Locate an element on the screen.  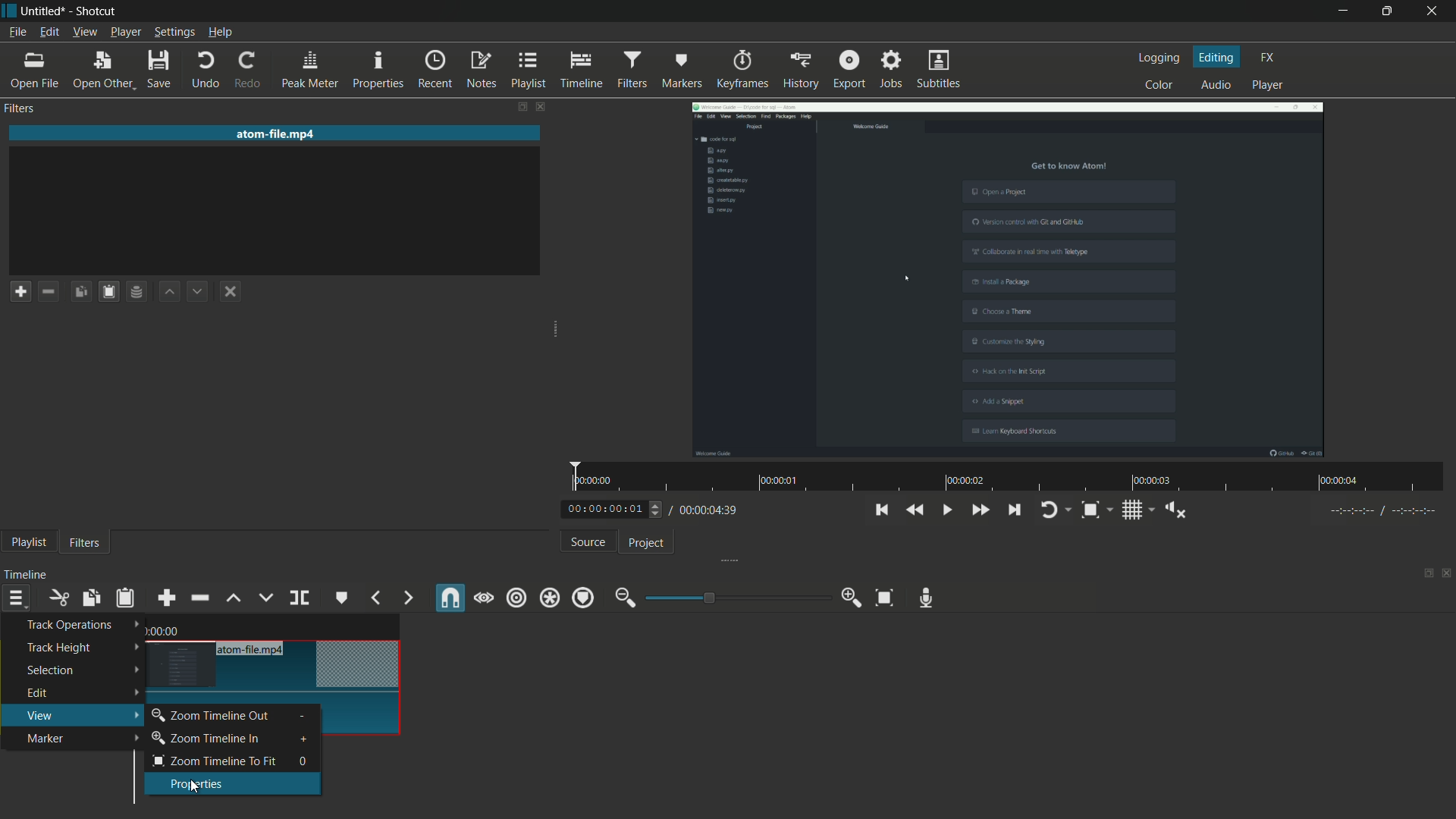
expand is located at coordinates (557, 325).